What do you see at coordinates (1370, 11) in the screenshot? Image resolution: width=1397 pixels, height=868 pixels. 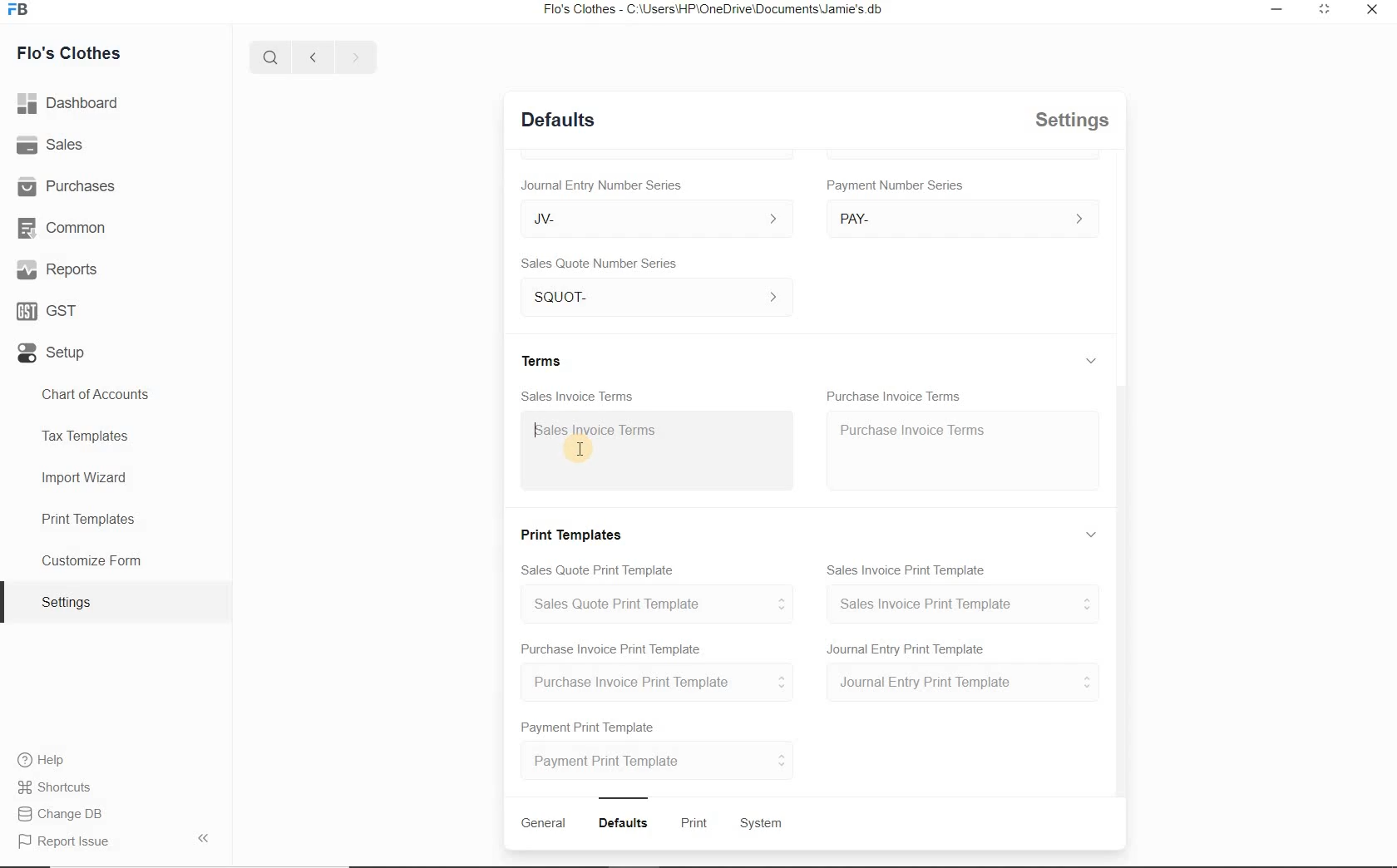 I see `Close` at bounding box center [1370, 11].